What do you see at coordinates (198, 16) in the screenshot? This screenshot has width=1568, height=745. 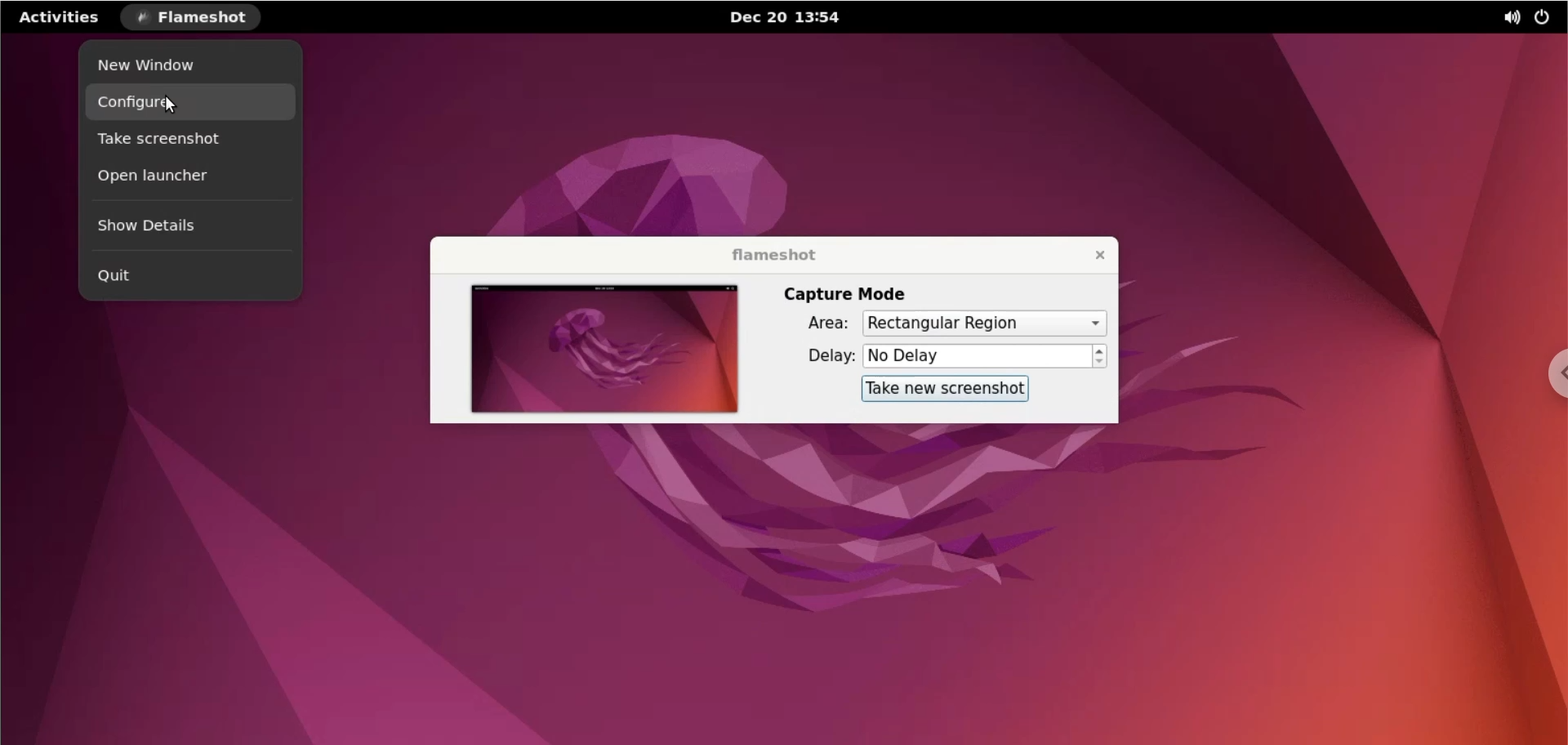 I see `flameshot options` at bounding box center [198, 16].